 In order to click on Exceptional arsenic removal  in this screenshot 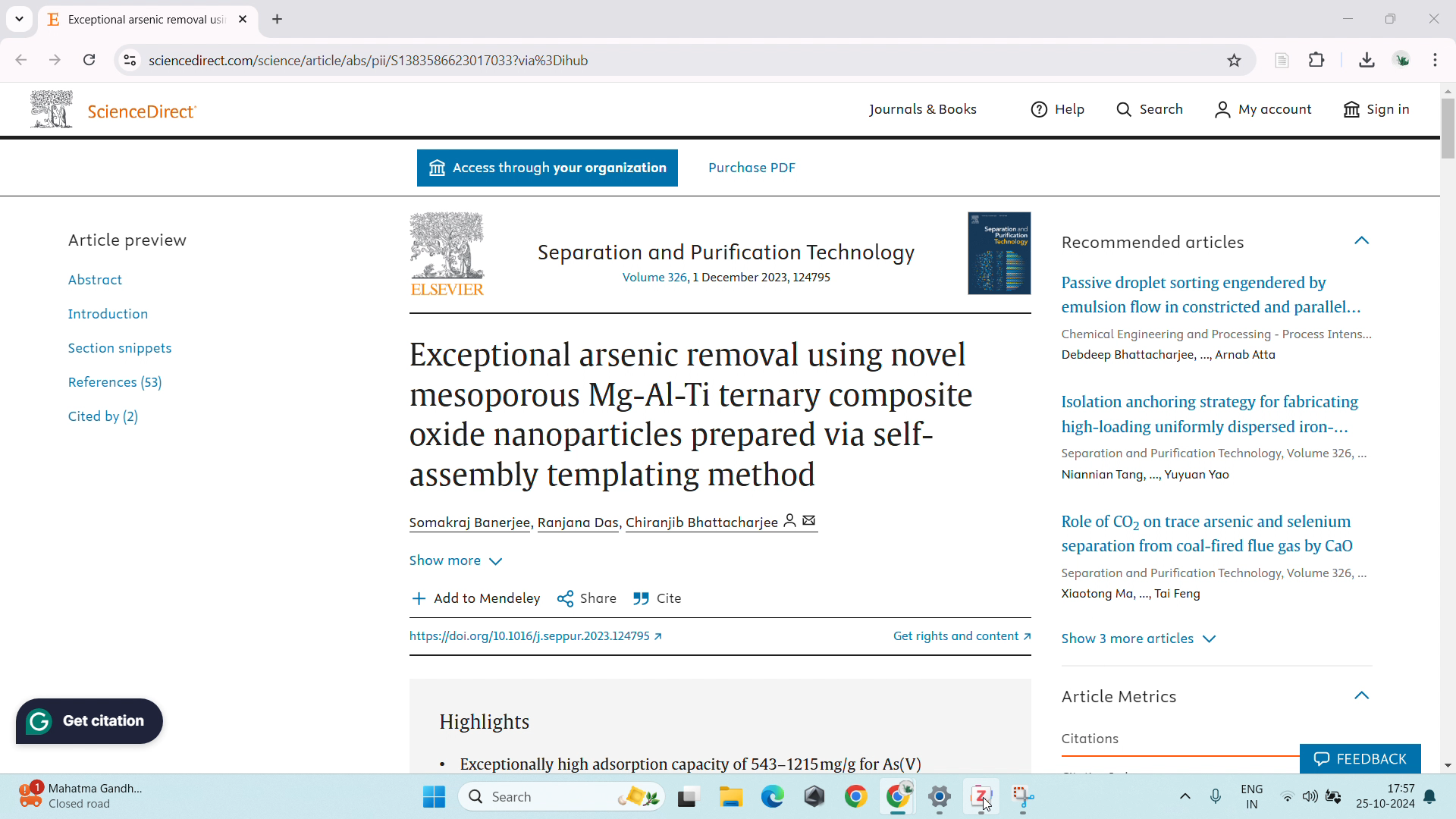, I will do `click(136, 22)`.